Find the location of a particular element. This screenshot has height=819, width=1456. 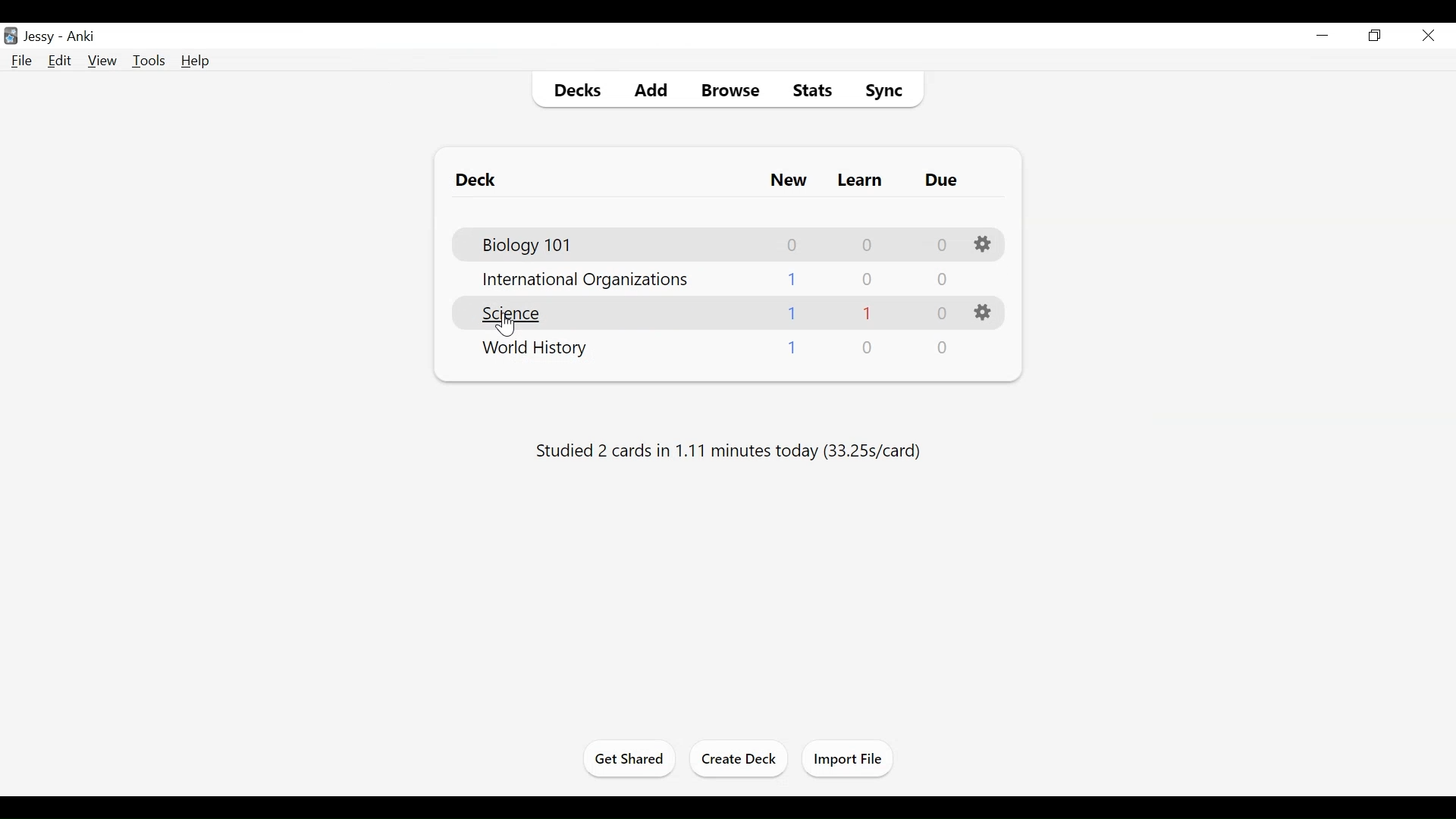

Learn Cards is located at coordinates (861, 180).